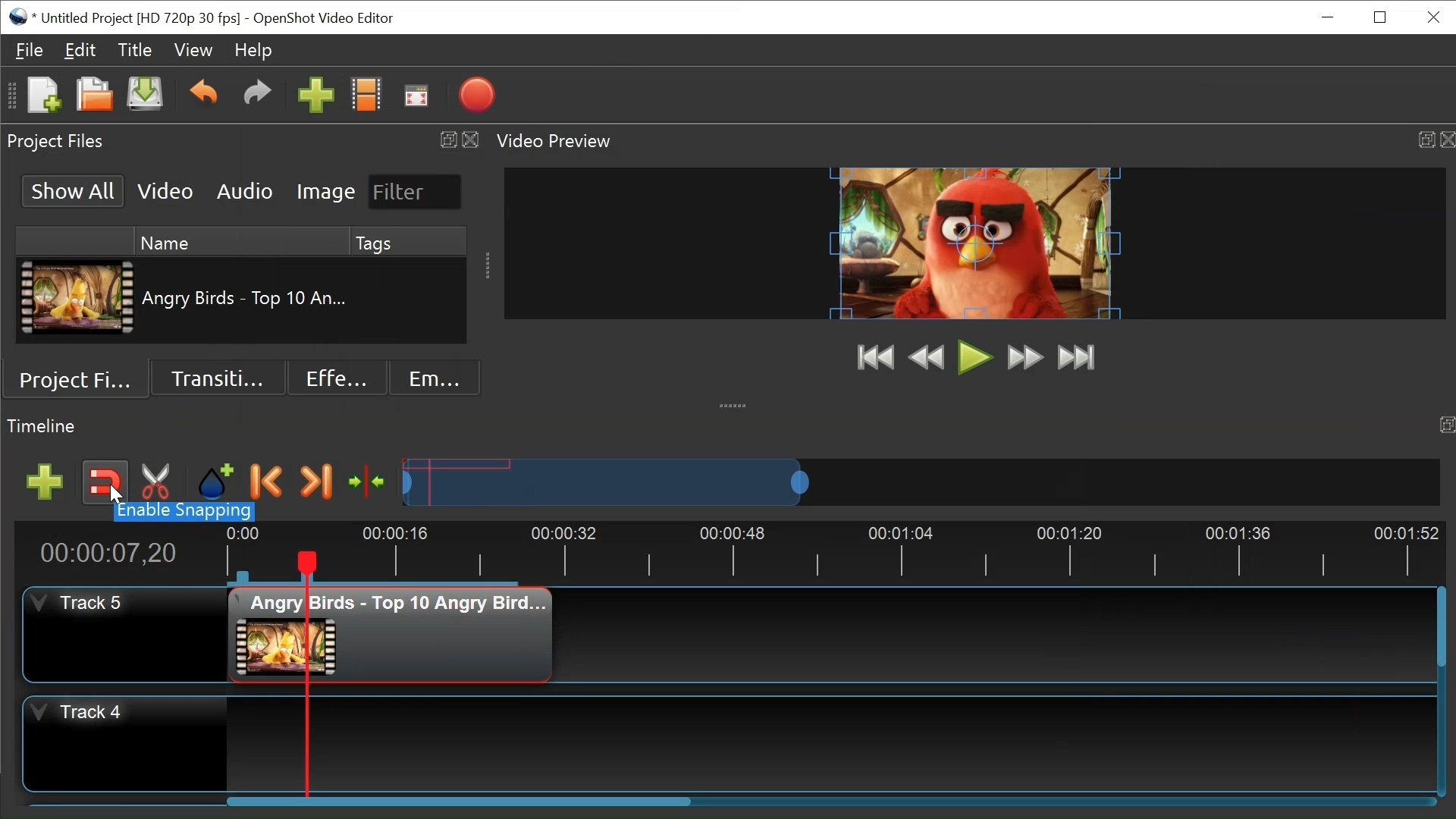 The image size is (1456, 819). I want to click on Filter, so click(416, 192).